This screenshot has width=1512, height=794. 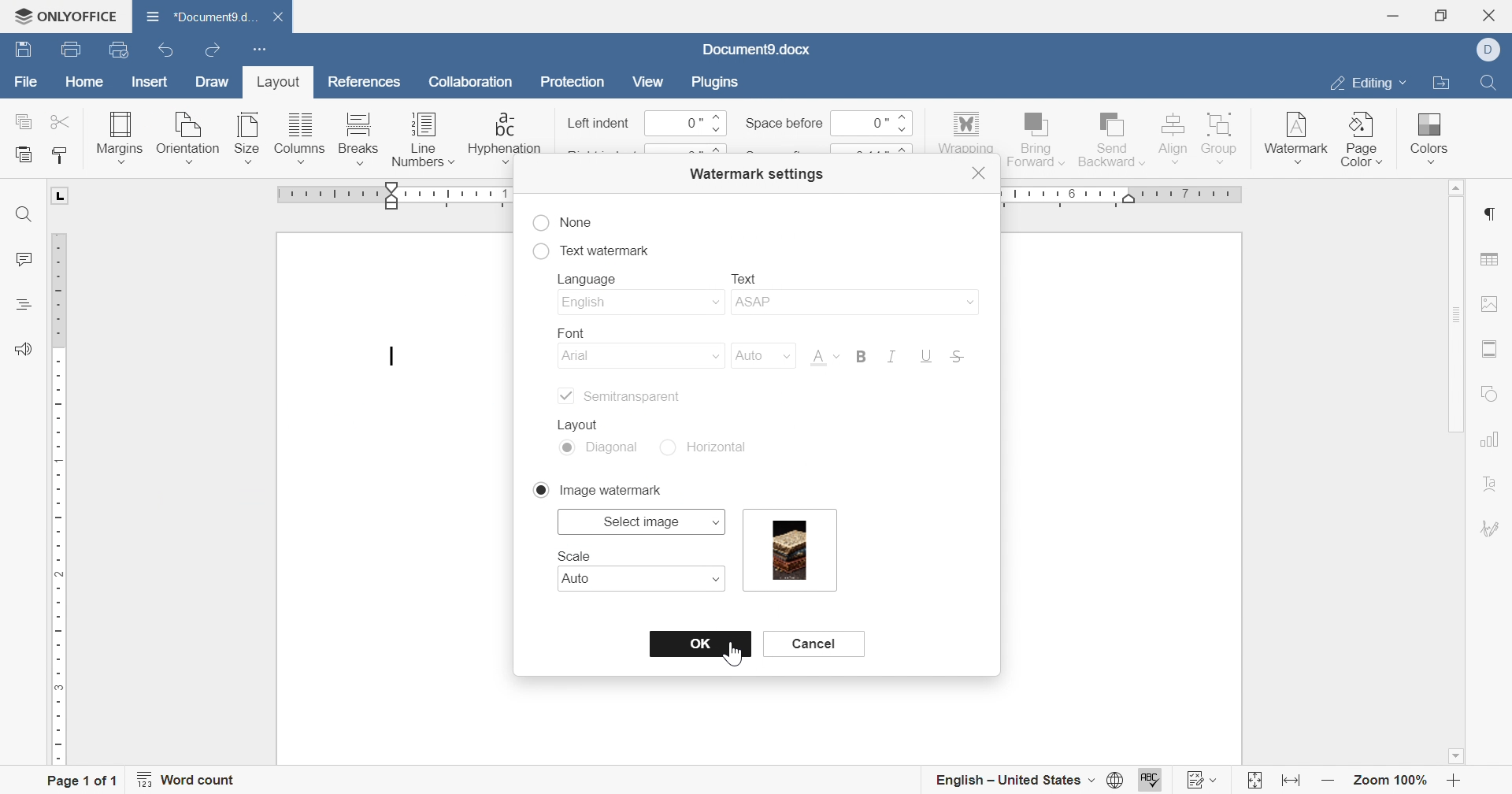 What do you see at coordinates (1113, 137) in the screenshot?
I see `send backward` at bounding box center [1113, 137].